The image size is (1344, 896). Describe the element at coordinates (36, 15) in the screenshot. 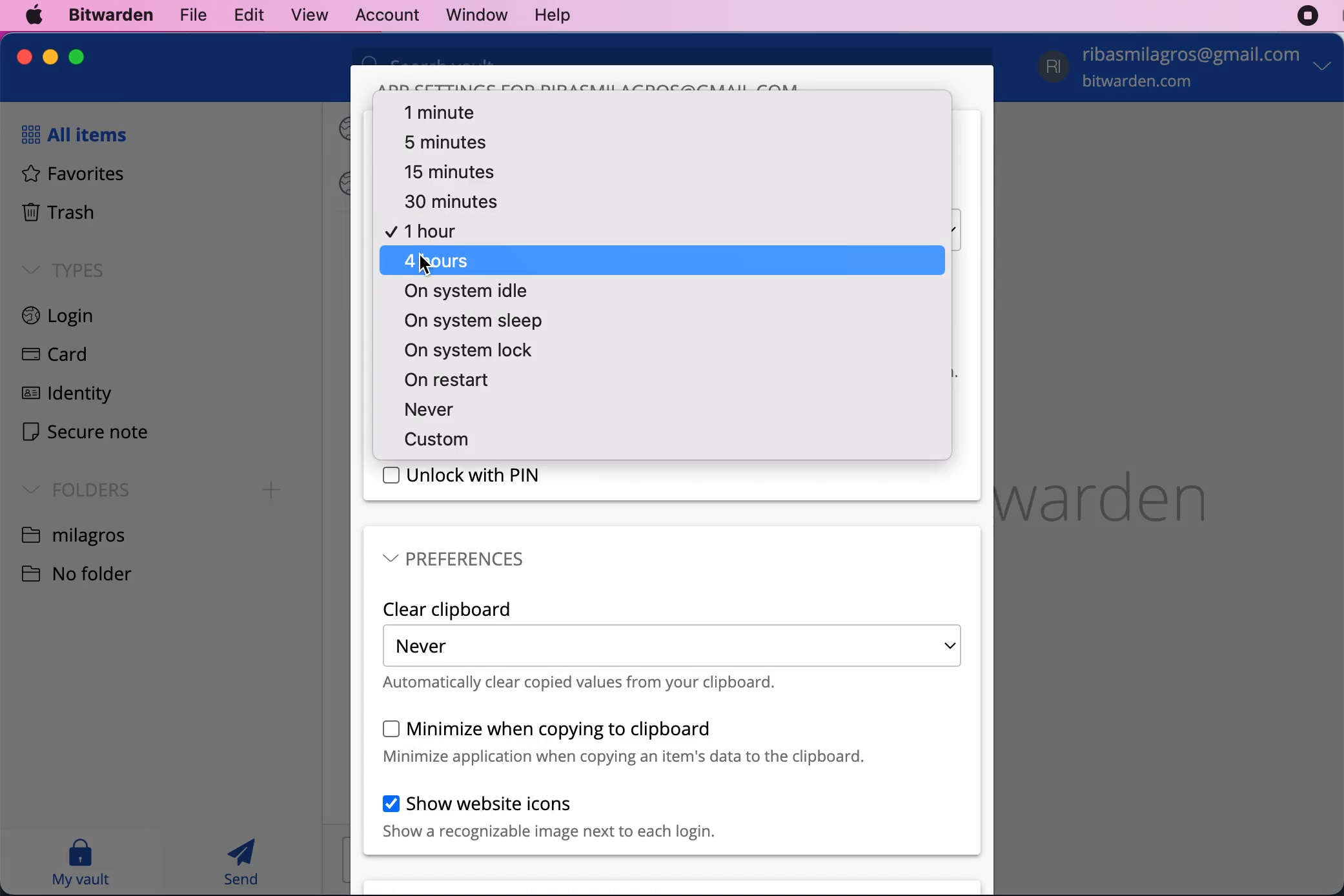

I see `mac logo` at that location.